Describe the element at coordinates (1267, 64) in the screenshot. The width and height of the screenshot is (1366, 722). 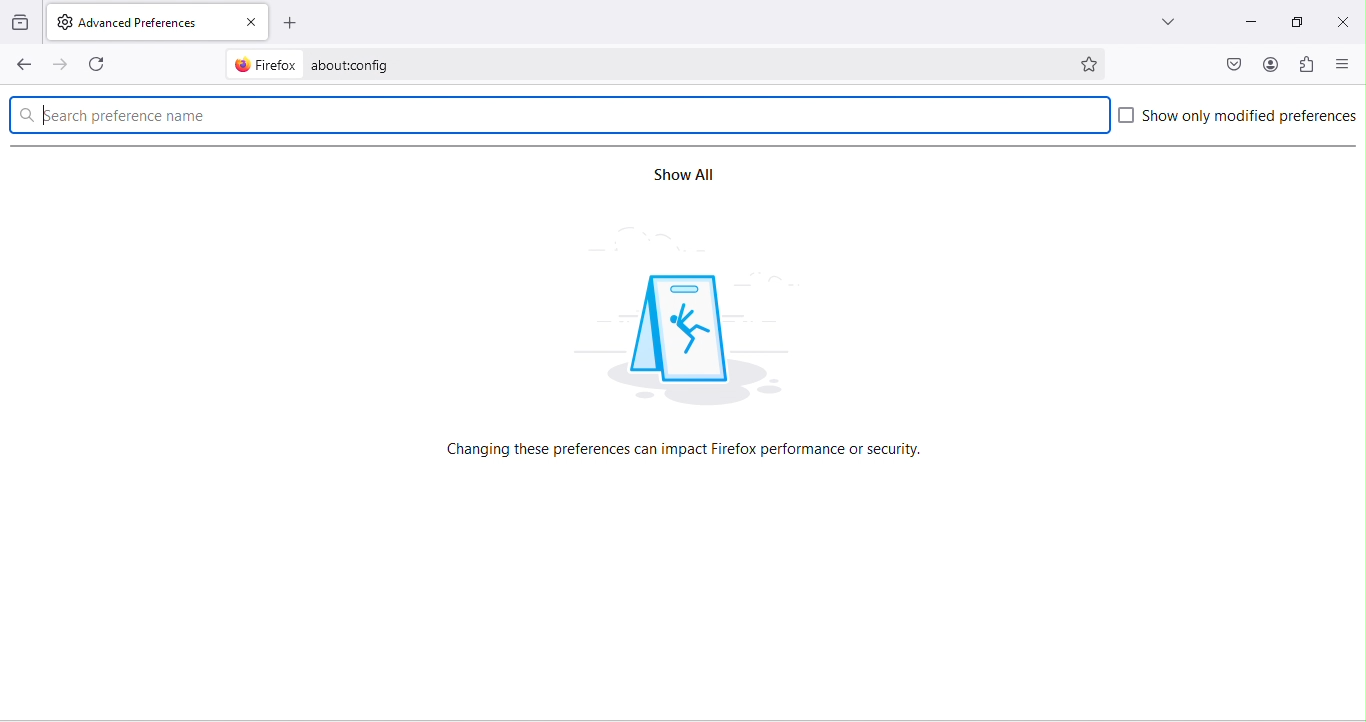
I see `account` at that location.